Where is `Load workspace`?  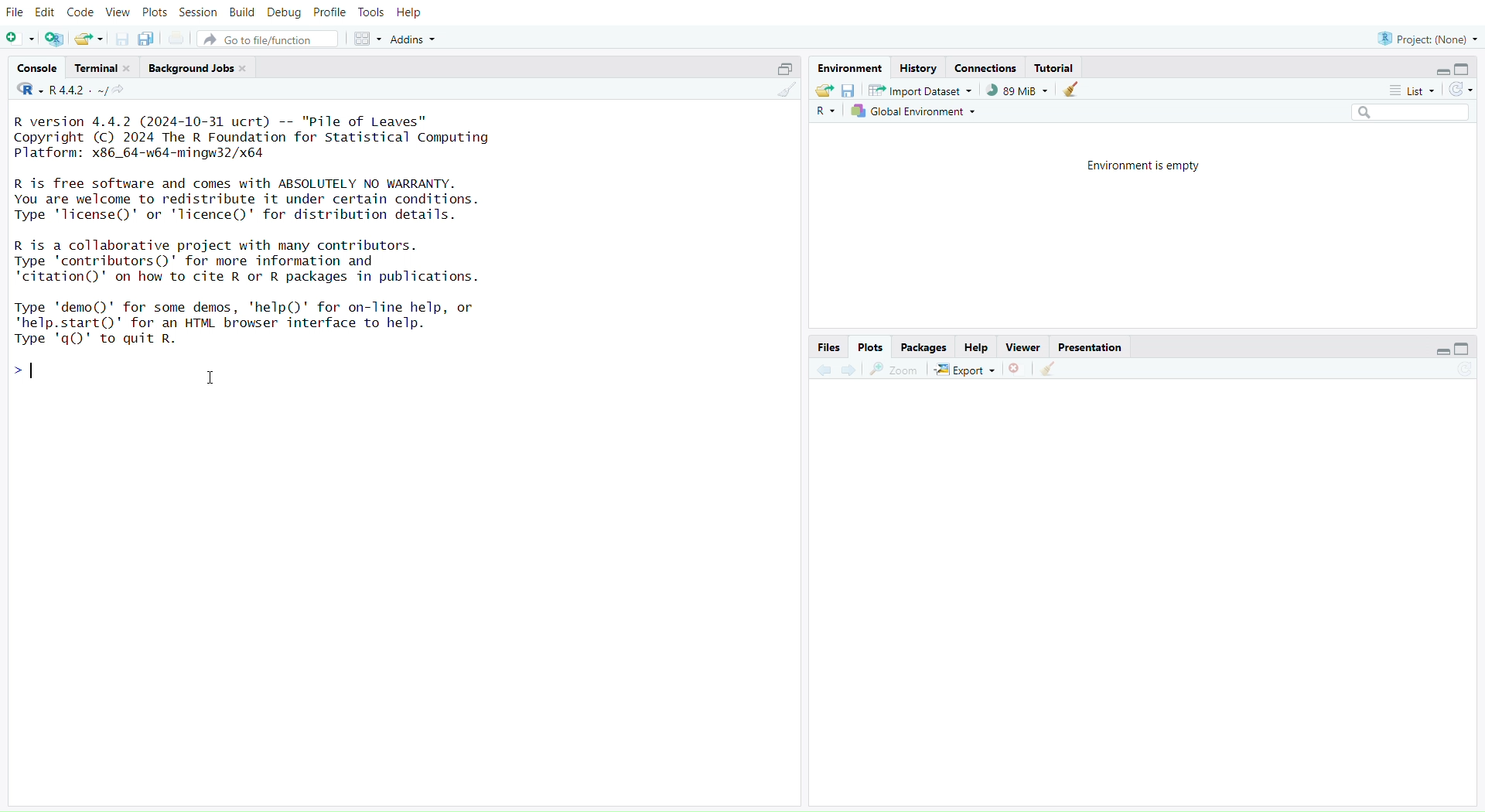
Load workspace is located at coordinates (824, 91).